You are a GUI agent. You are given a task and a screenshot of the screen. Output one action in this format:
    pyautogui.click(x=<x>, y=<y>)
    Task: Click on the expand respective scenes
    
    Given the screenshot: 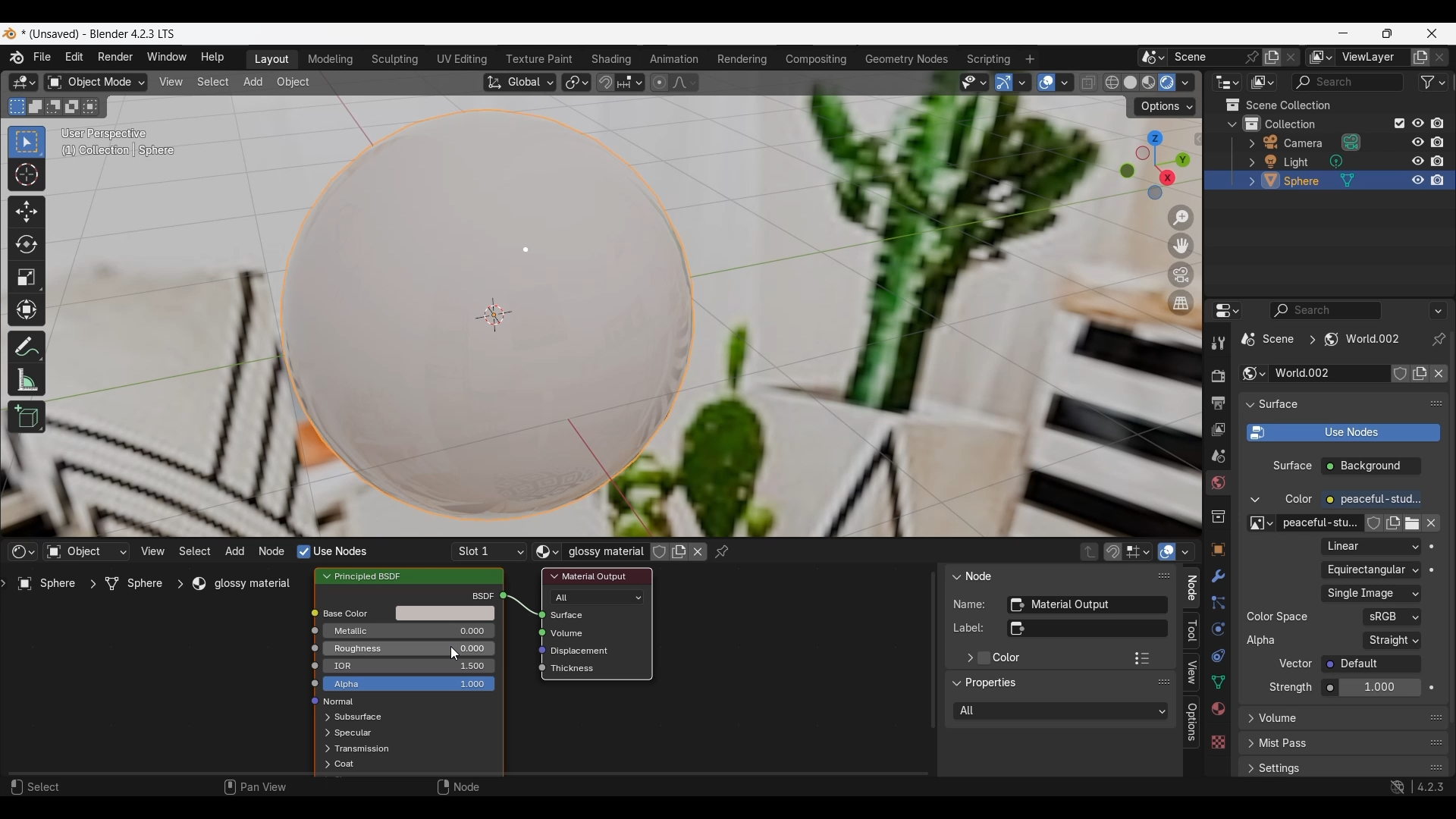 What is the action you would take?
    pyautogui.click(x=1248, y=769)
    